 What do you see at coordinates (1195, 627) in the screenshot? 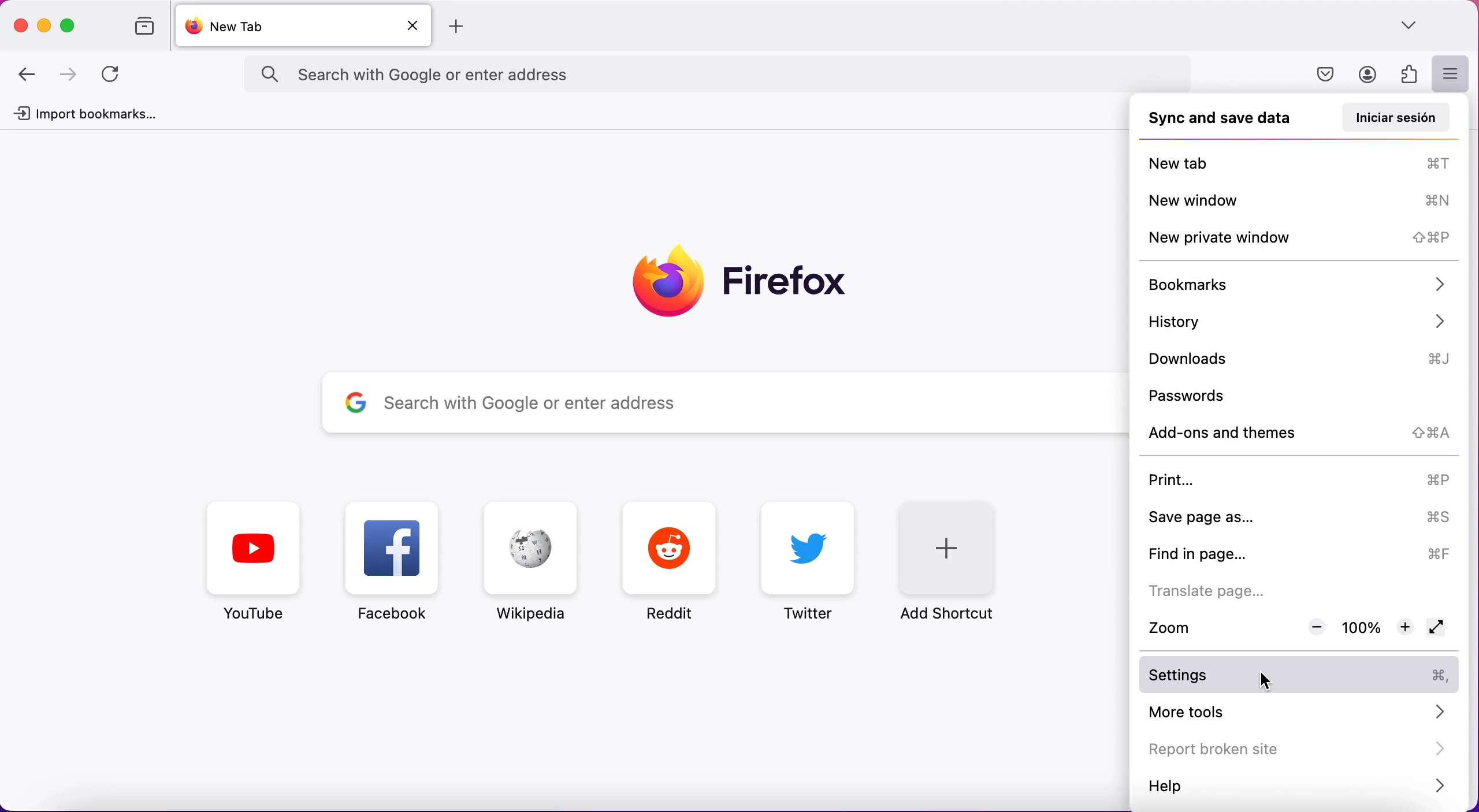
I see `zoom` at bounding box center [1195, 627].